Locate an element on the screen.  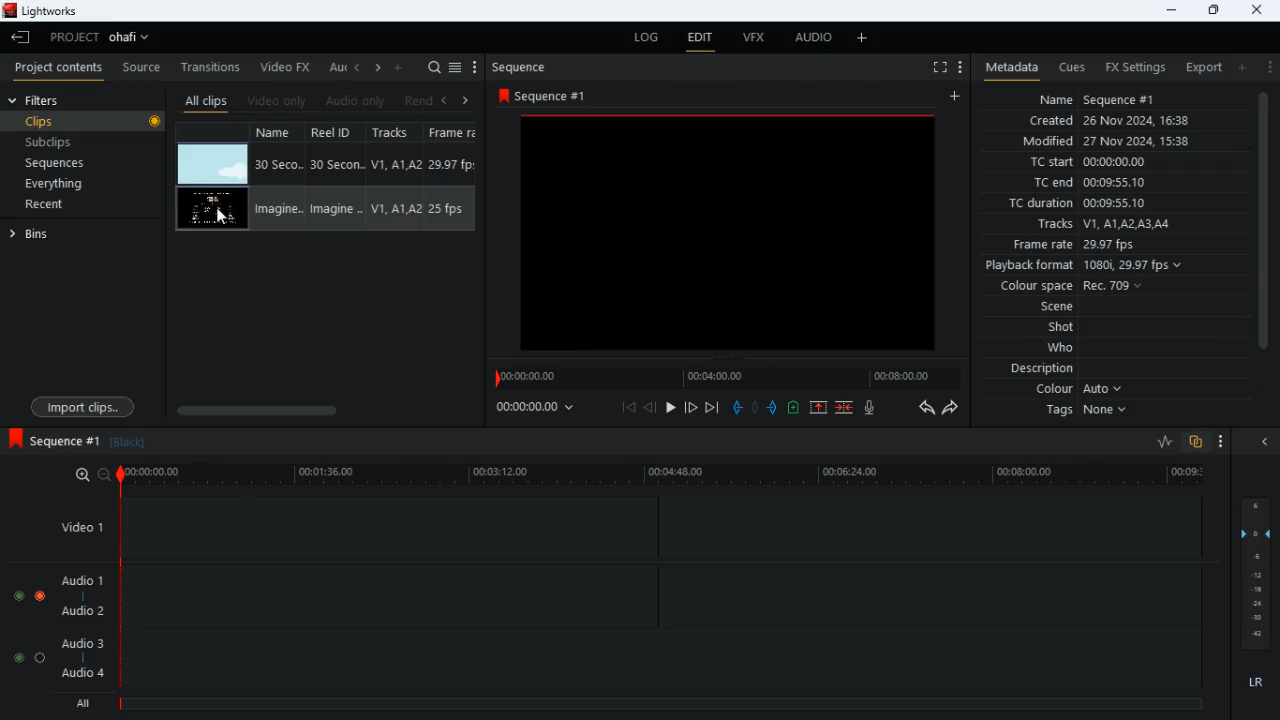
bins is located at coordinates (51, 236).